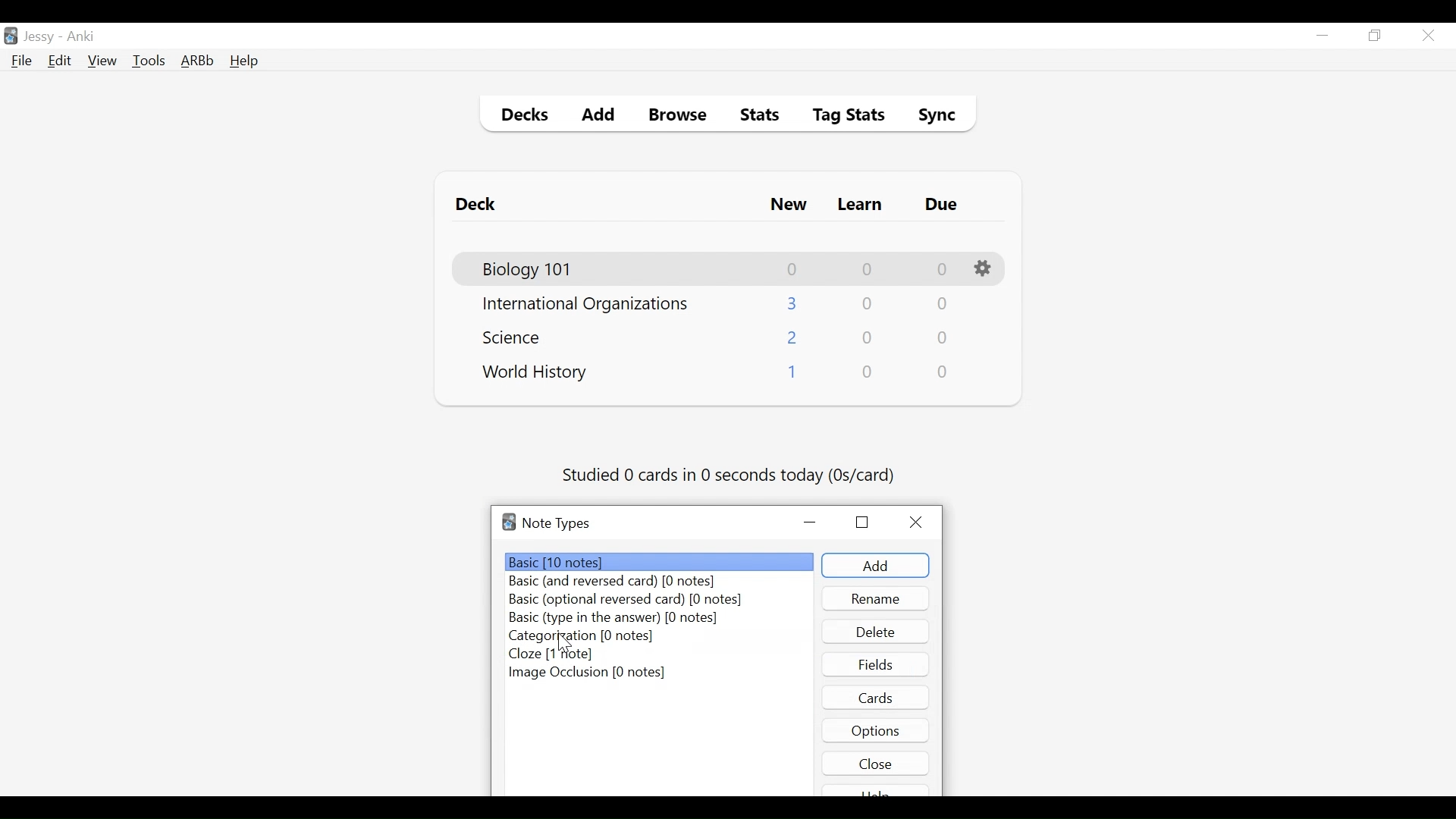  I want to click on Tag Stats, so click(840, 117).